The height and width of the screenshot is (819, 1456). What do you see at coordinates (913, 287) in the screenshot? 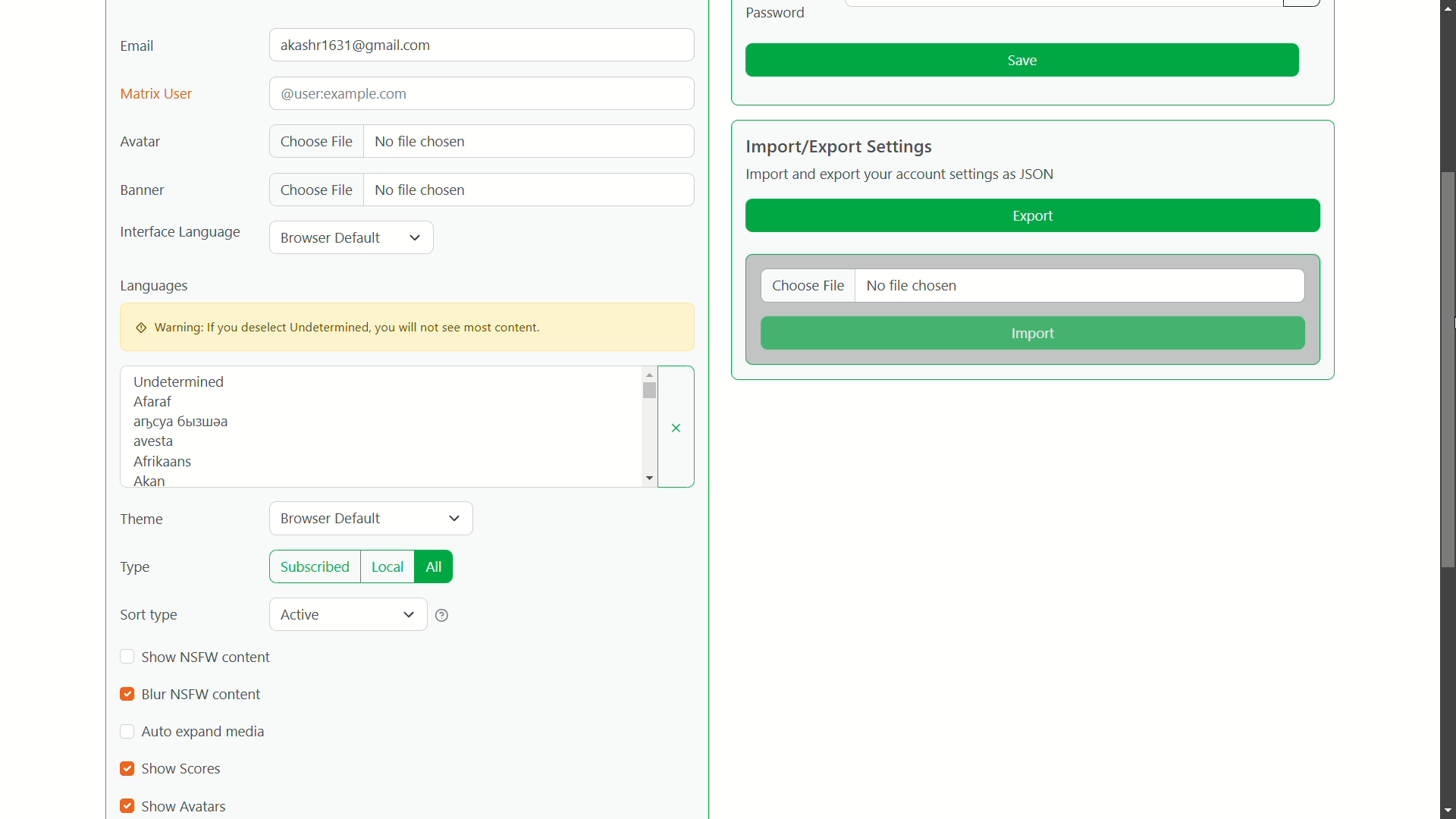
I see `no file chosen` at bounding box center [913, 287].